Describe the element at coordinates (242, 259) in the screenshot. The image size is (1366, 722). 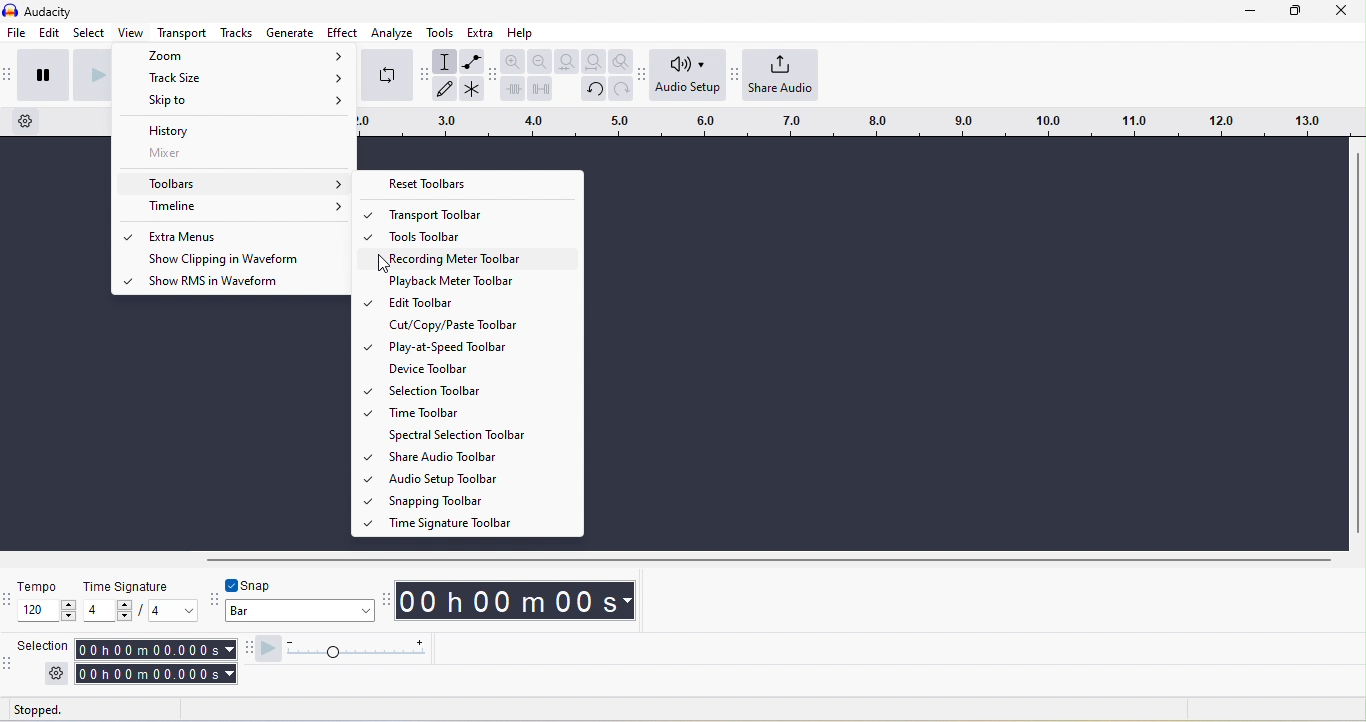
I see `Show clipping in waveform ` at that location.